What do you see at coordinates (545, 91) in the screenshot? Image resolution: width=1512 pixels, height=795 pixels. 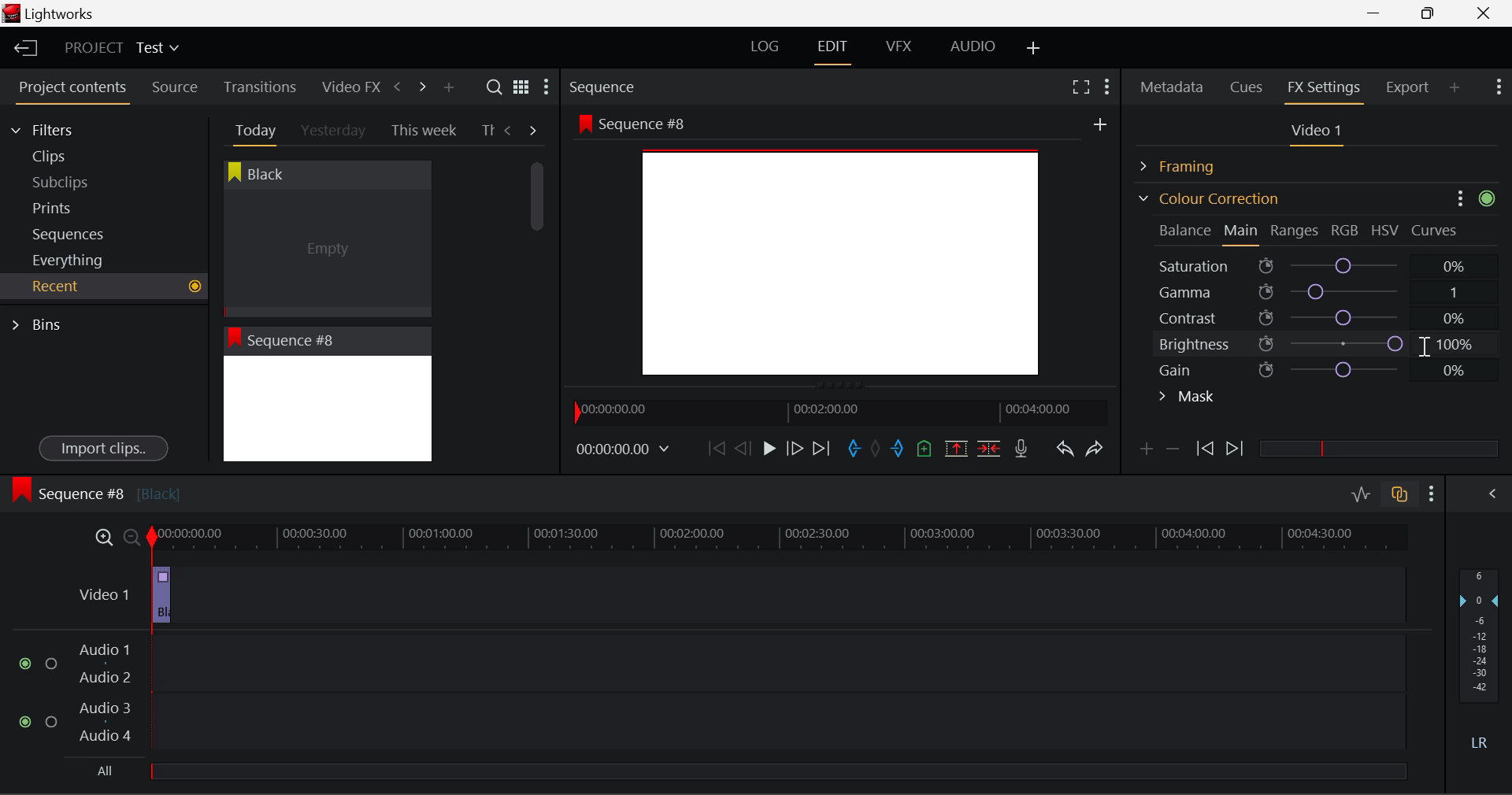 I see `Show Settings` at bounding box center [545, 91].